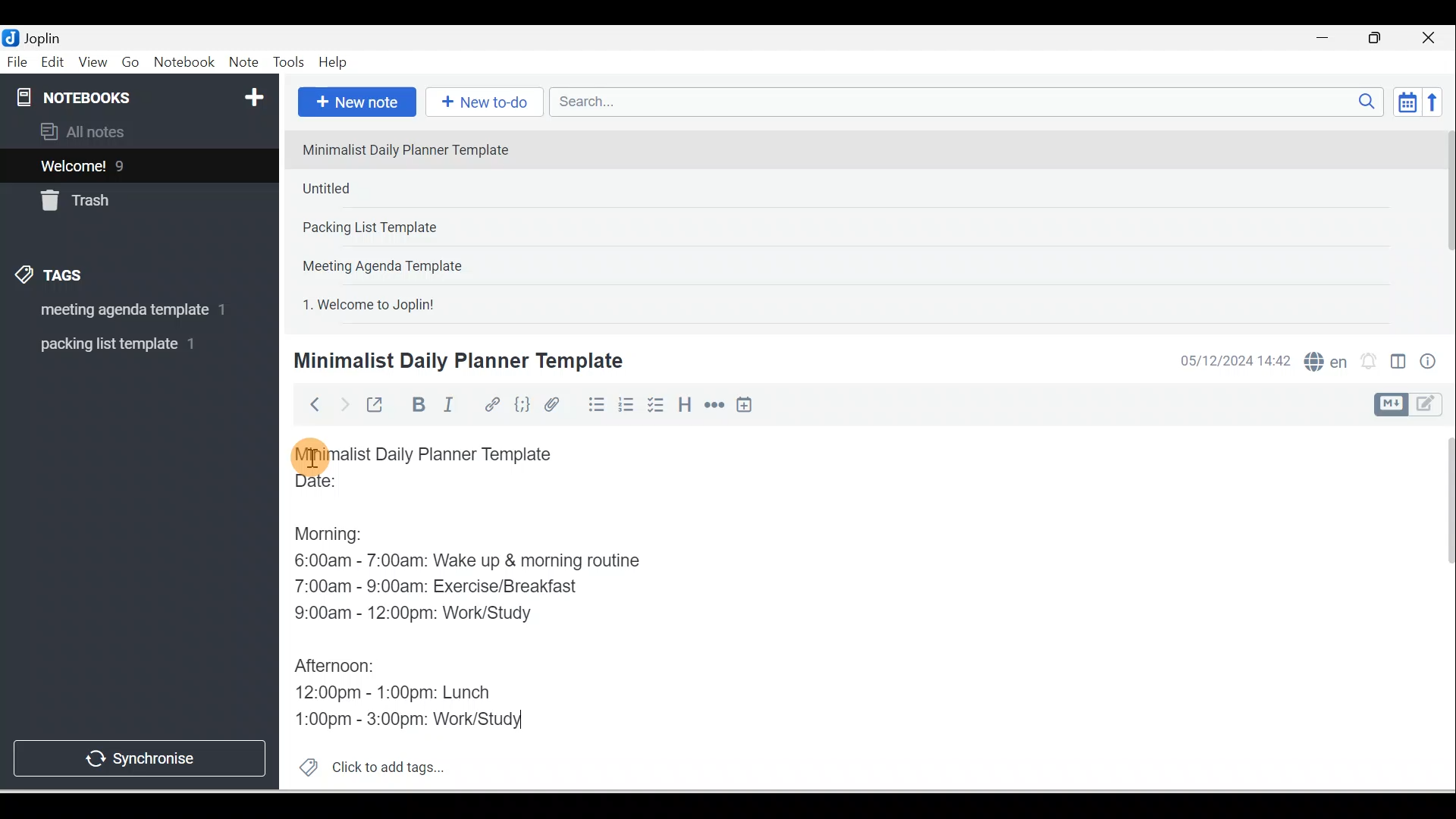 Image resolution: width=1456 pixels, height=819 pixels. What do you see at coordinates (1398, 364) in the screenshot?
I see `Toggle editors` at bounding box center [1398, 364].